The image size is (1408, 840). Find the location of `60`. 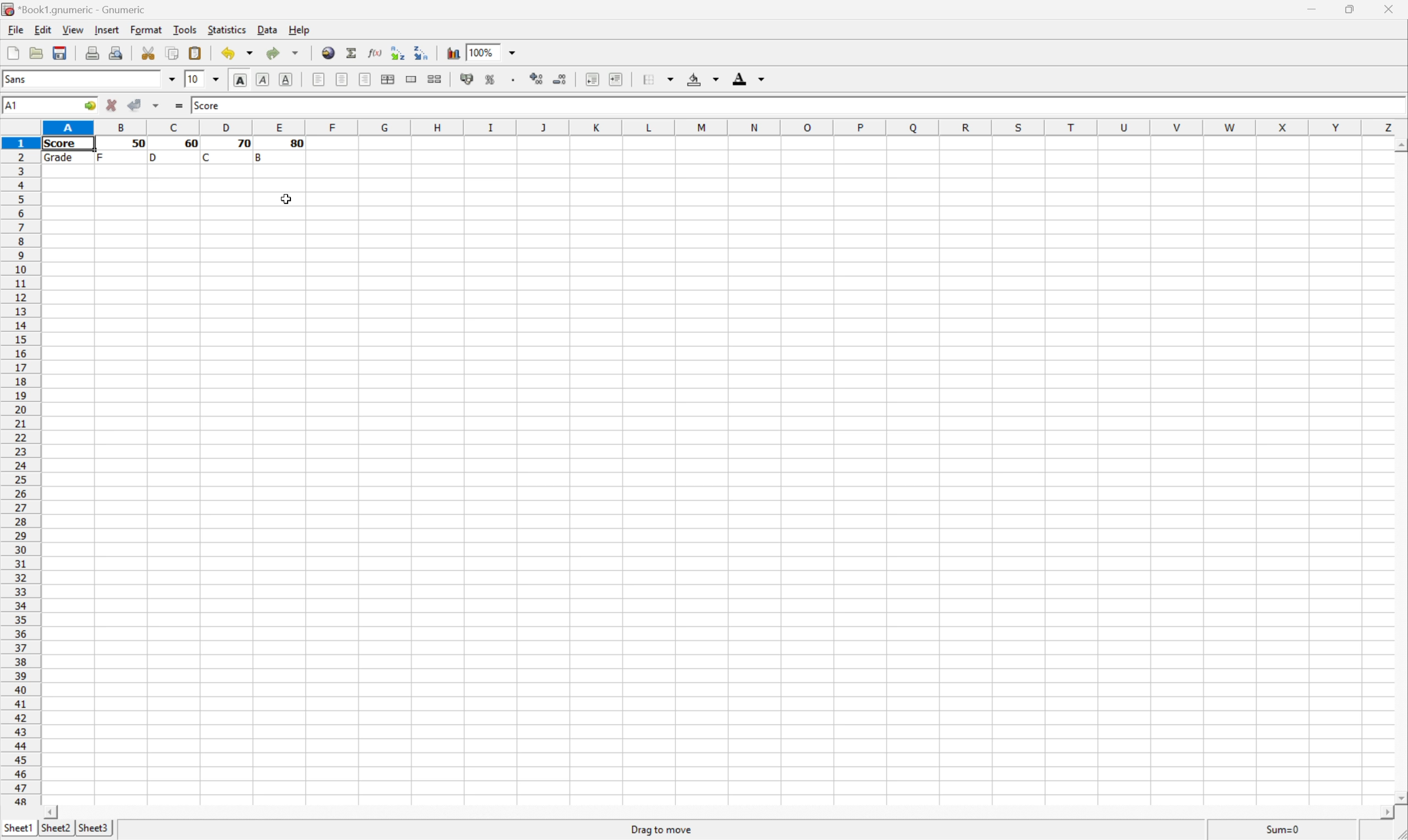

60 is located at coordinates (189, 144).